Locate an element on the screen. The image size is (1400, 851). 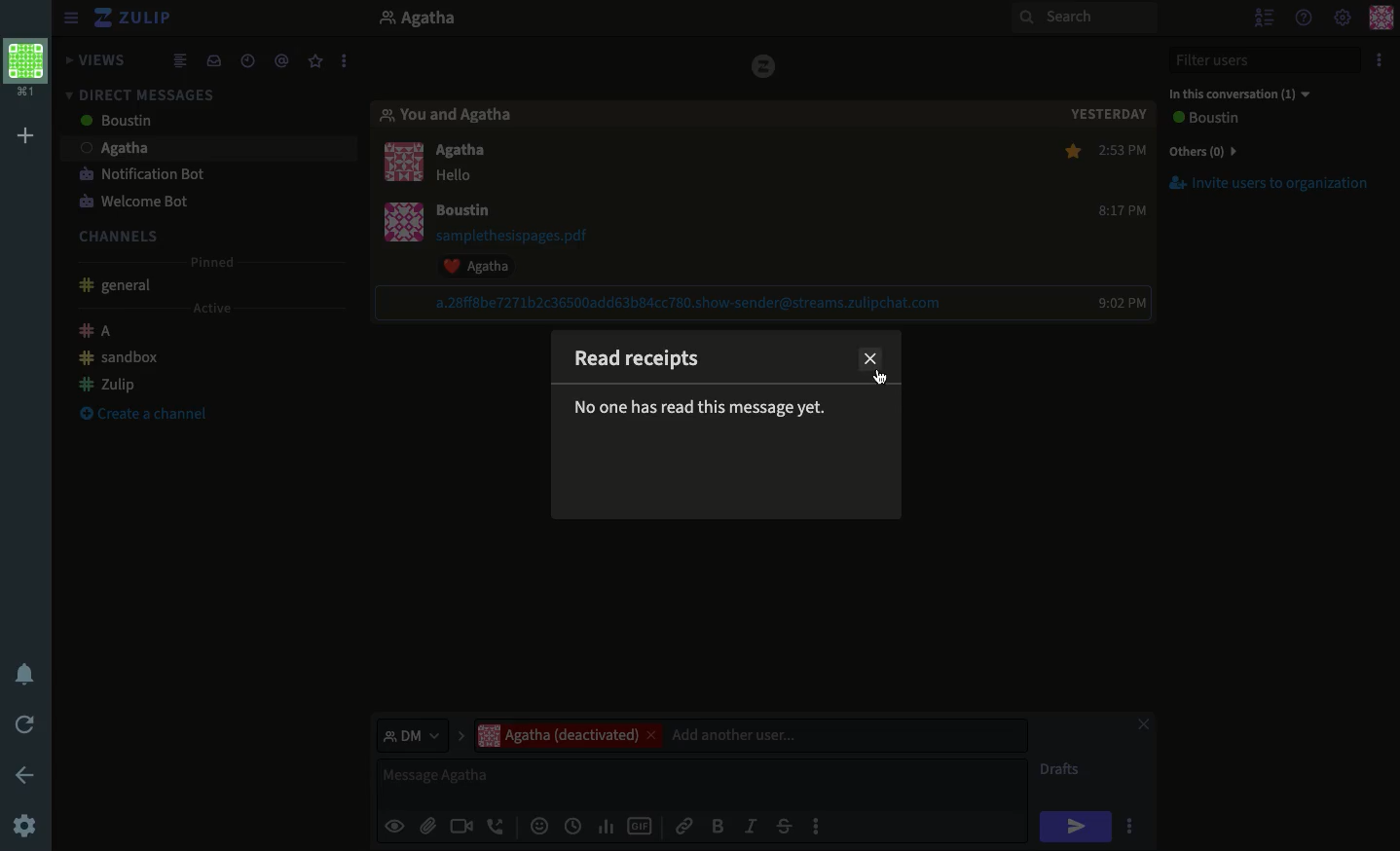
Preview is located at coordinates (394, 825).